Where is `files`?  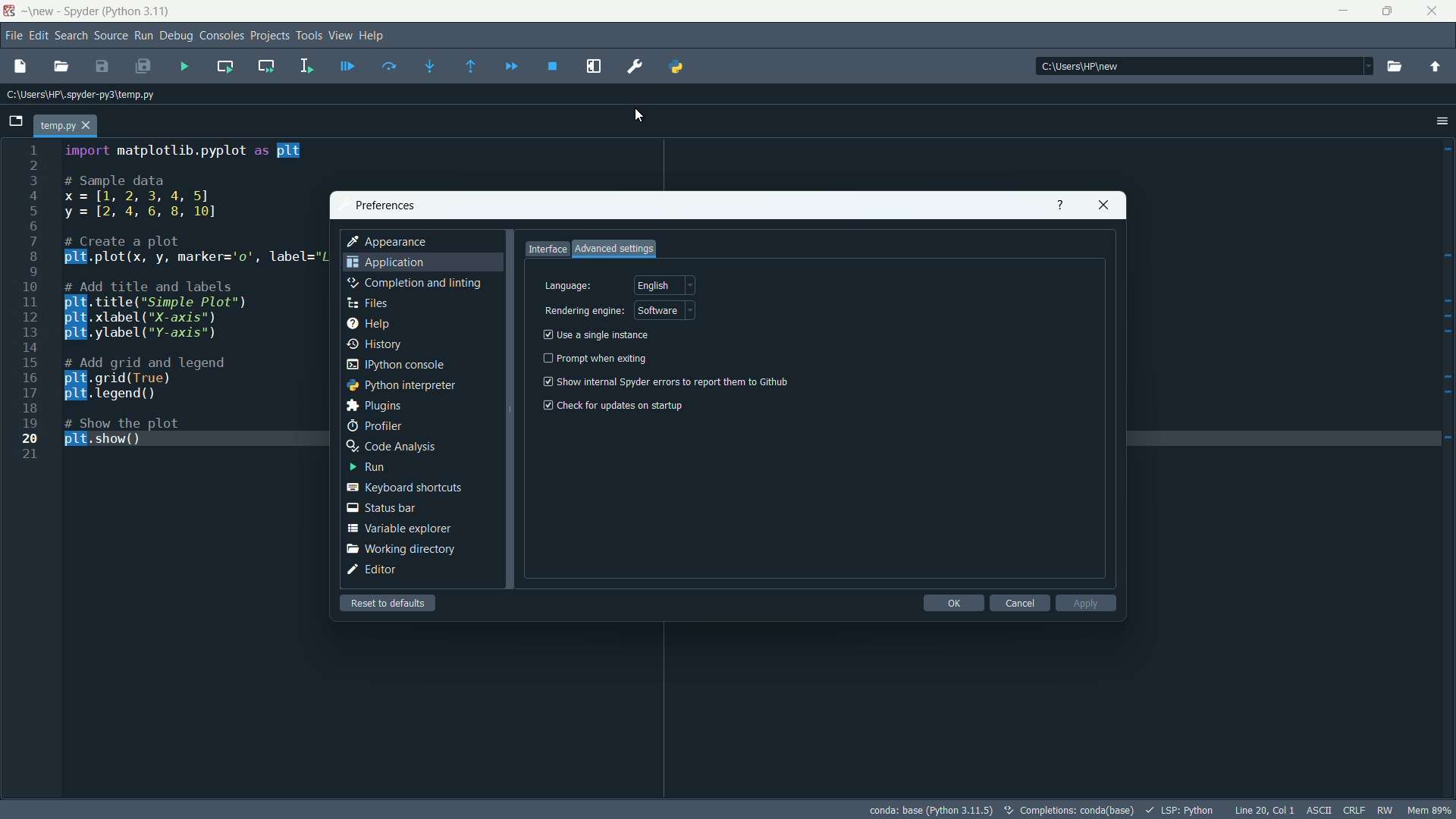
files is located at coordinates (368, 303).